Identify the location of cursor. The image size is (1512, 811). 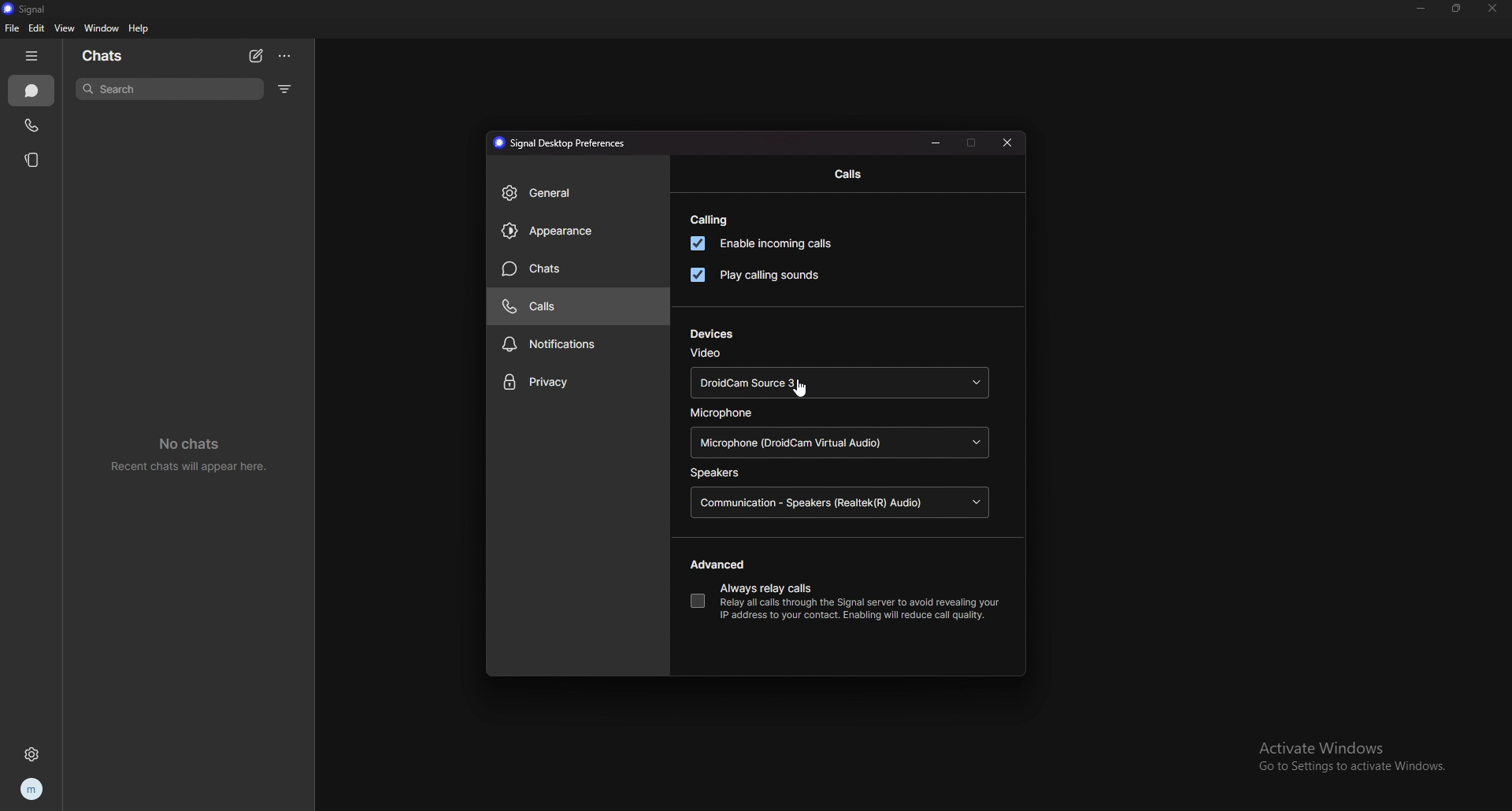
(803, 391).